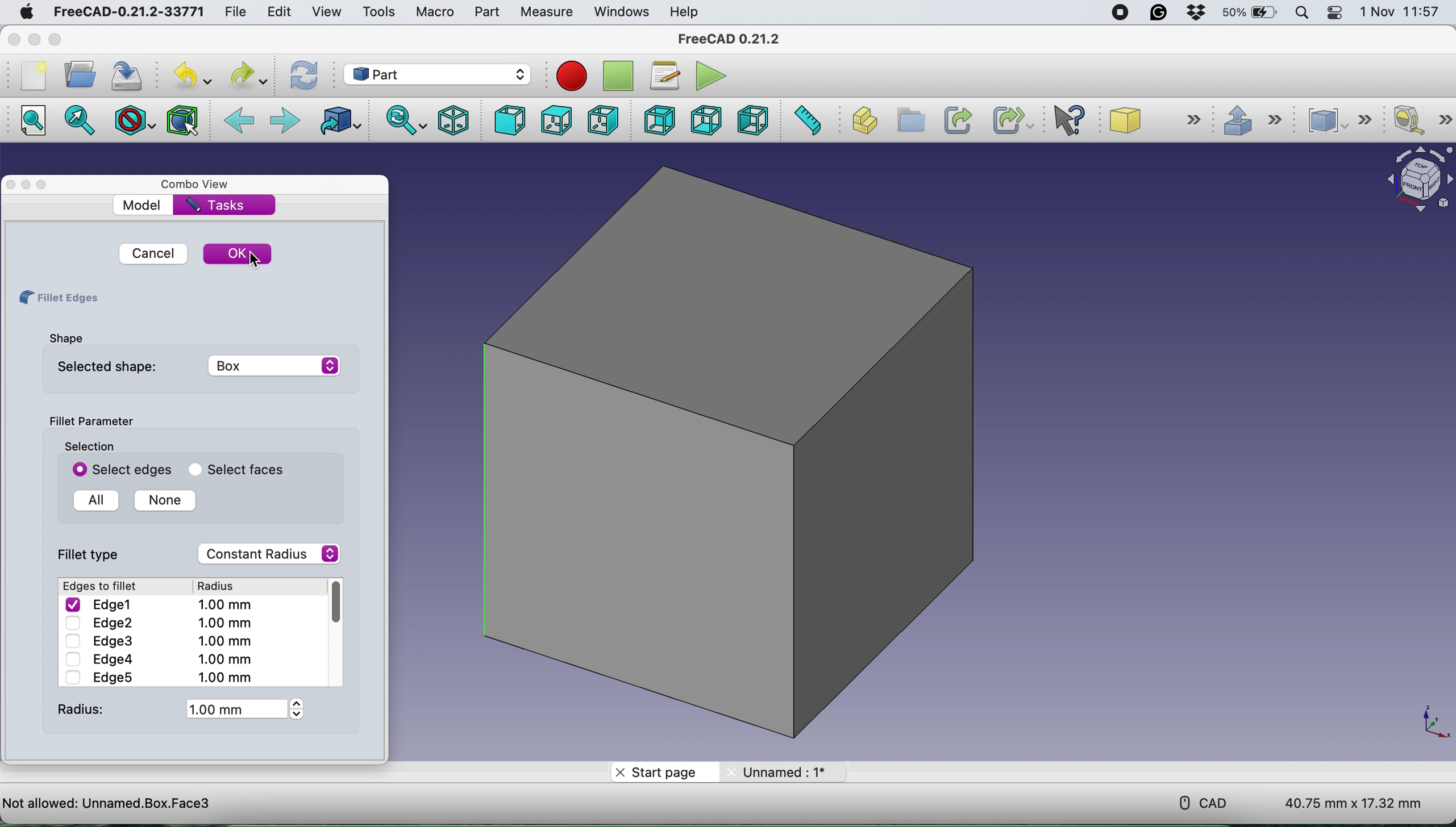 This screenshot has width=1456, height=827. What do you see at coordinates (706, 119) in the screenshot?
I see `bottom` at bounding box center [706, 119].